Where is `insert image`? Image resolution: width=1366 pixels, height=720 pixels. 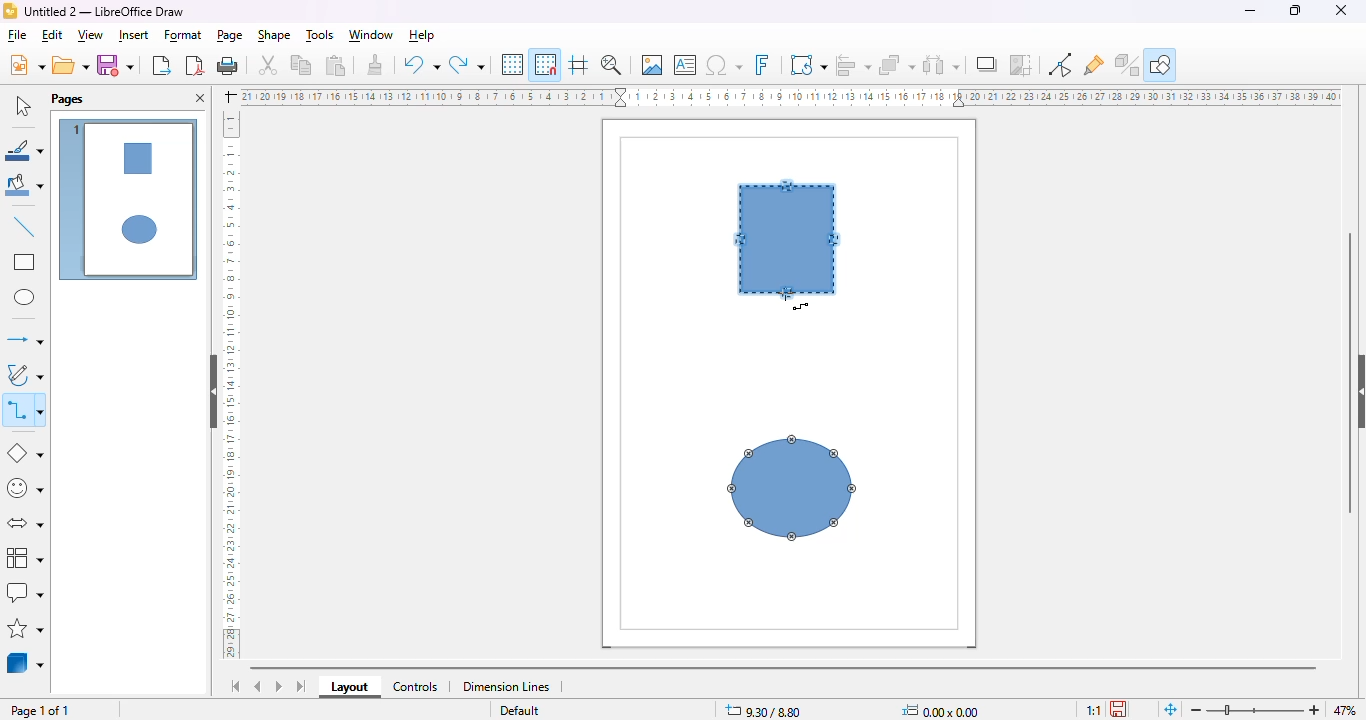 insert image is located at coordinates (652, 64).